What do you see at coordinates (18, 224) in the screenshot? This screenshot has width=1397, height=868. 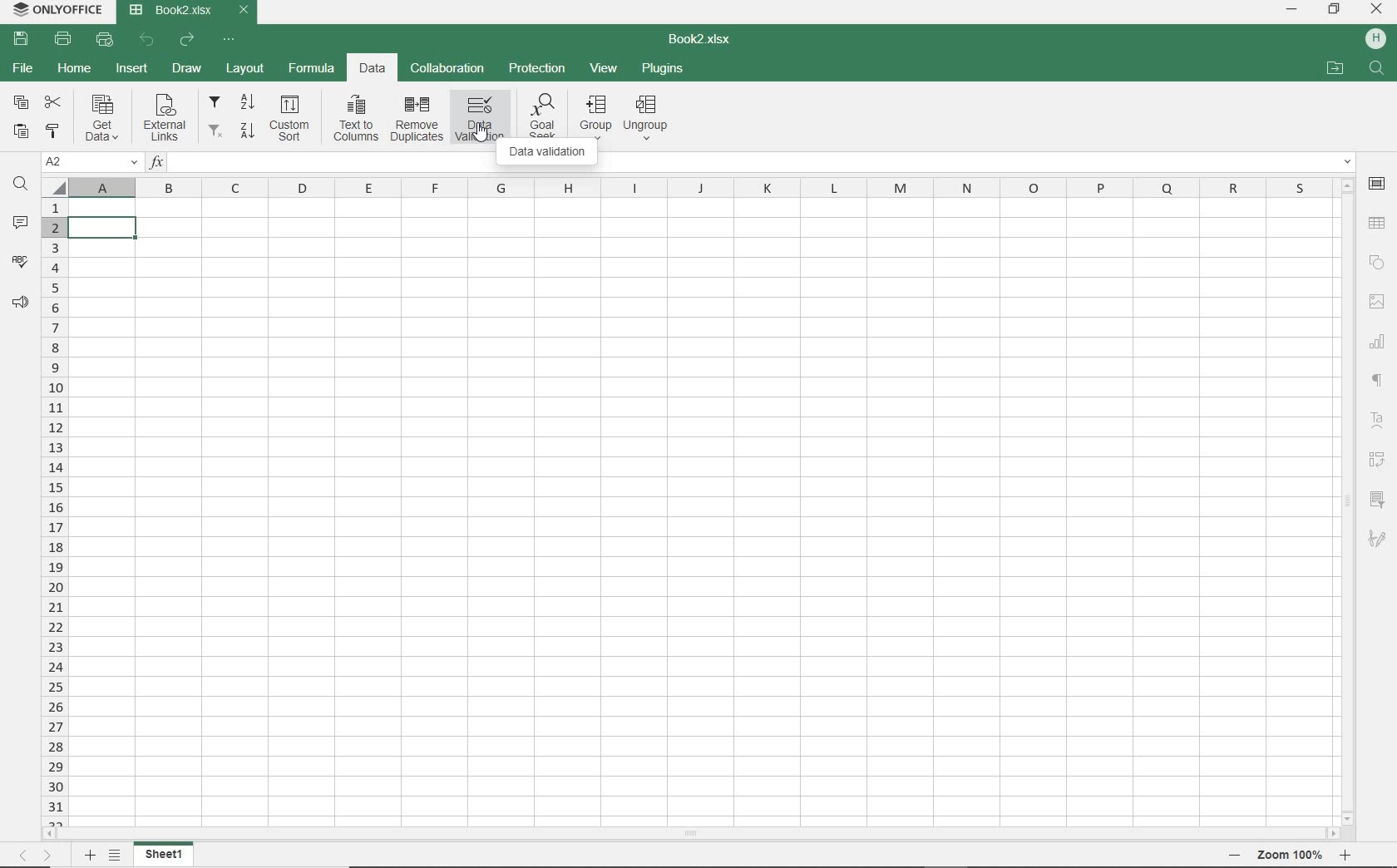 I see `COMMENTS` at bounding box center [18, 224].